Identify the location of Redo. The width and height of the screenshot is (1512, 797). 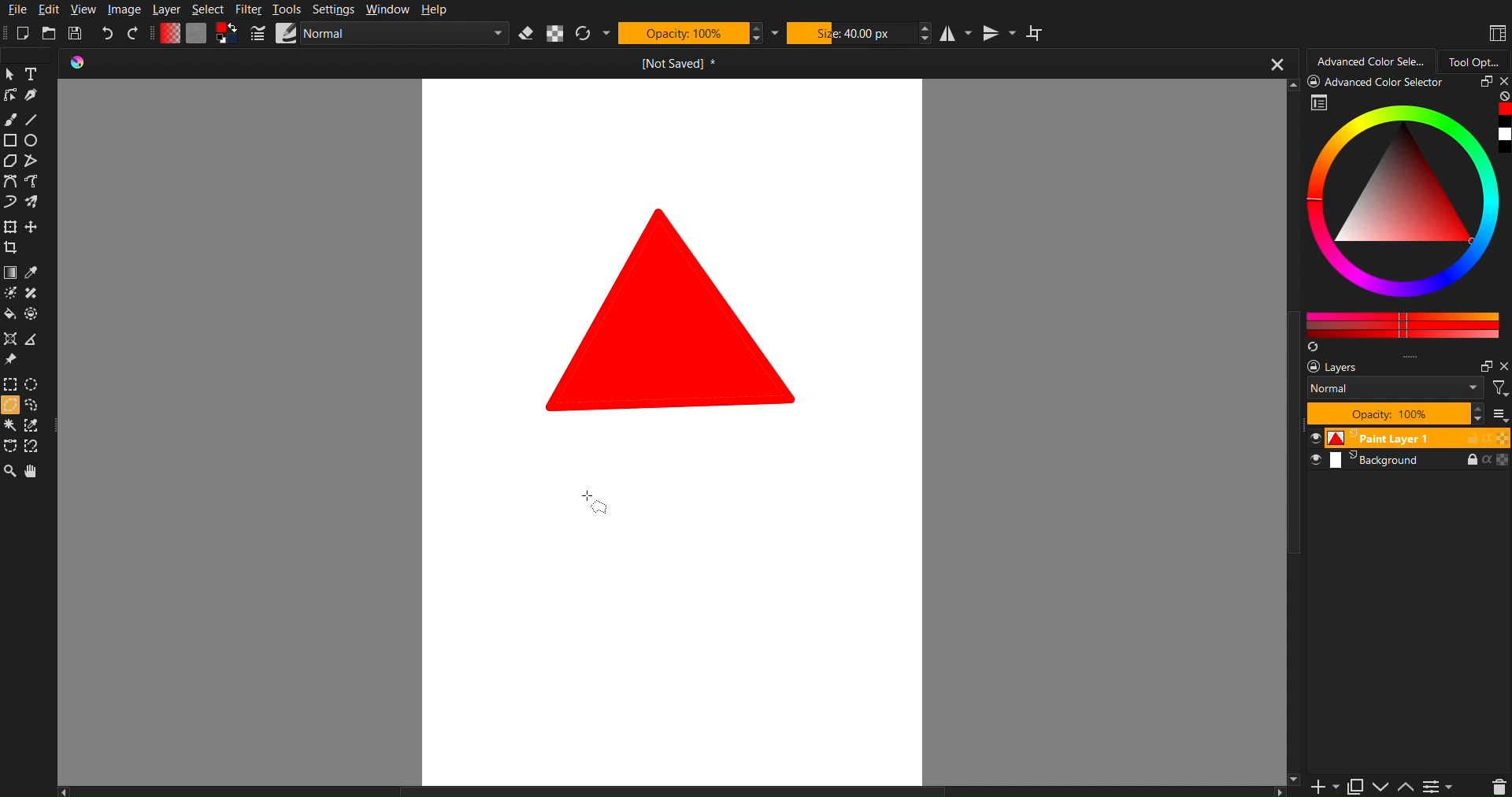
(135, 32).